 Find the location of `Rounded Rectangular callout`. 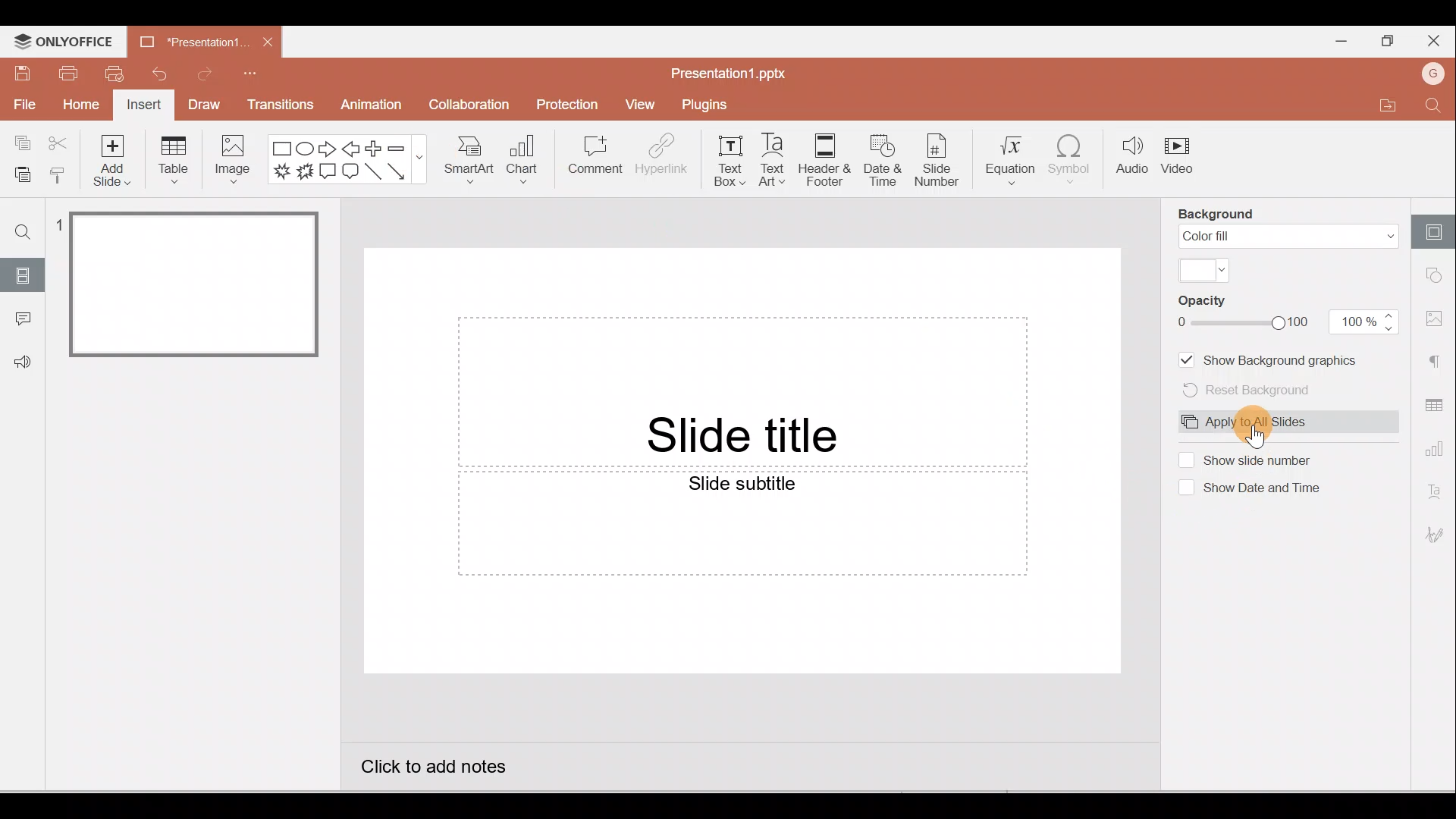

Rounded Rectangular callout is located at coordinates (350, 173).